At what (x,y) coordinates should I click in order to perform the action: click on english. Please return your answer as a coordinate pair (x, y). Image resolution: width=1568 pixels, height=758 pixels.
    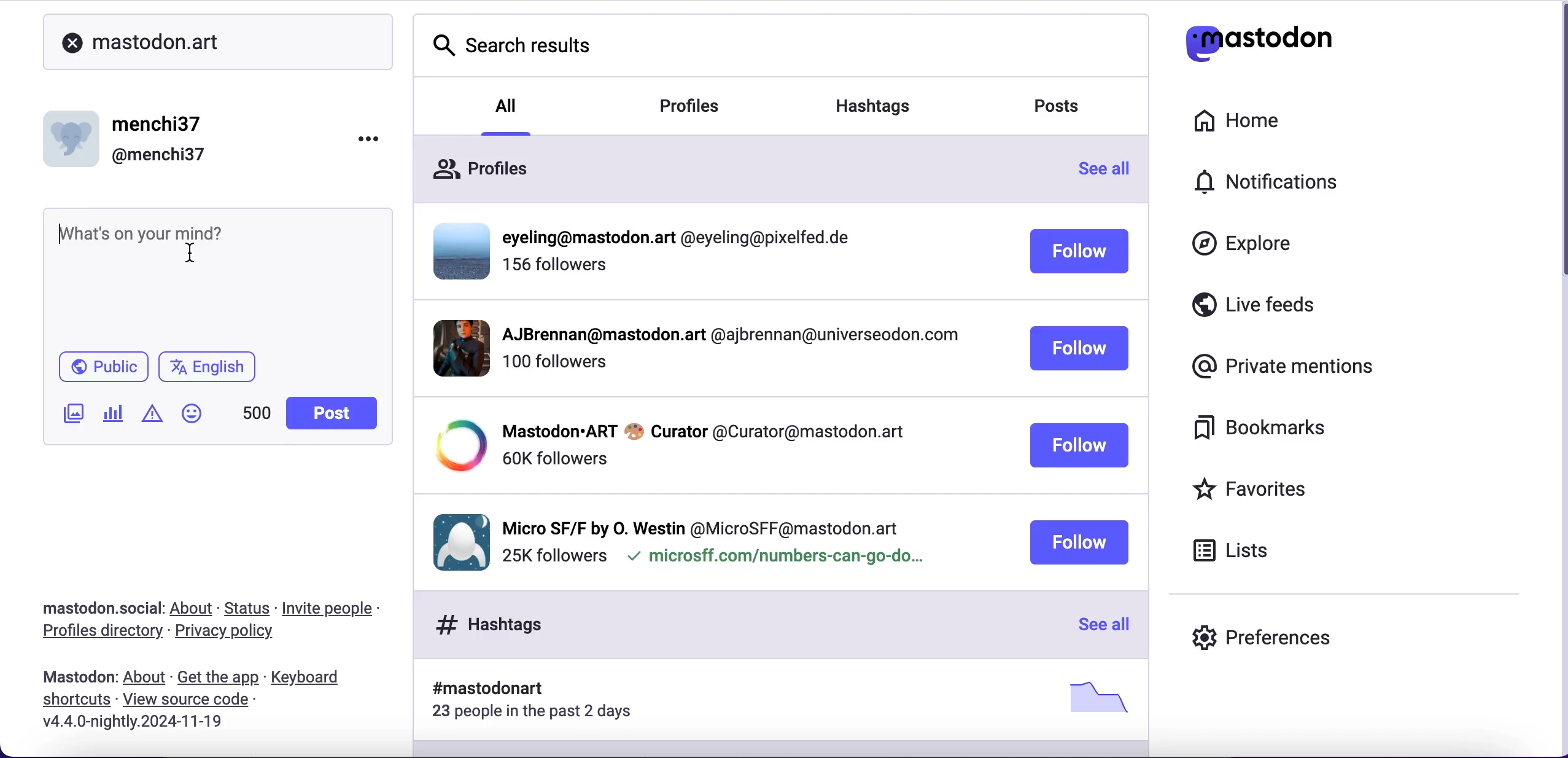
    Looking at the image, I should click on (210, 370).